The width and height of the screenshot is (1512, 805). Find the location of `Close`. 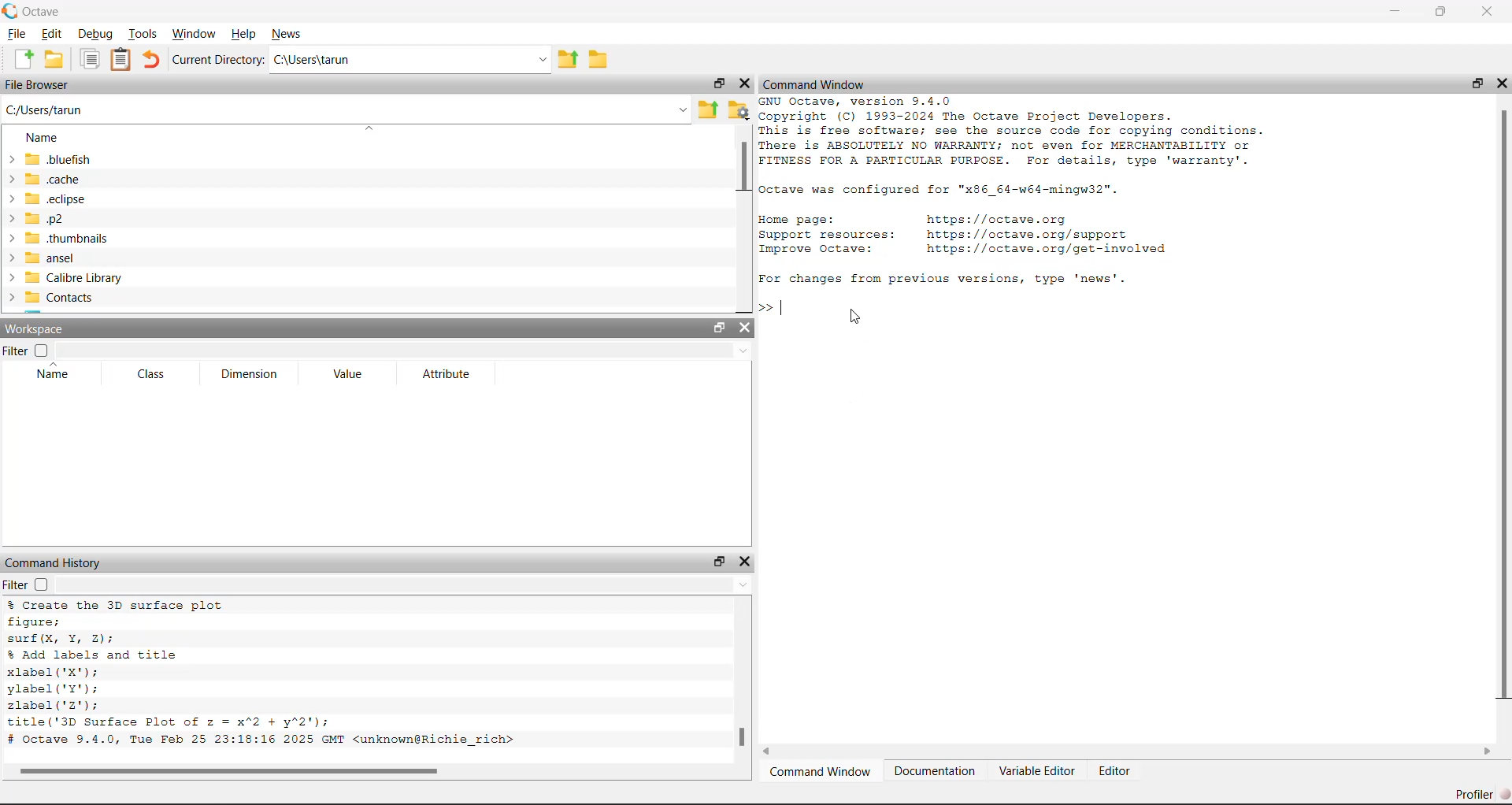

Close is located at coordinates (743, 83).